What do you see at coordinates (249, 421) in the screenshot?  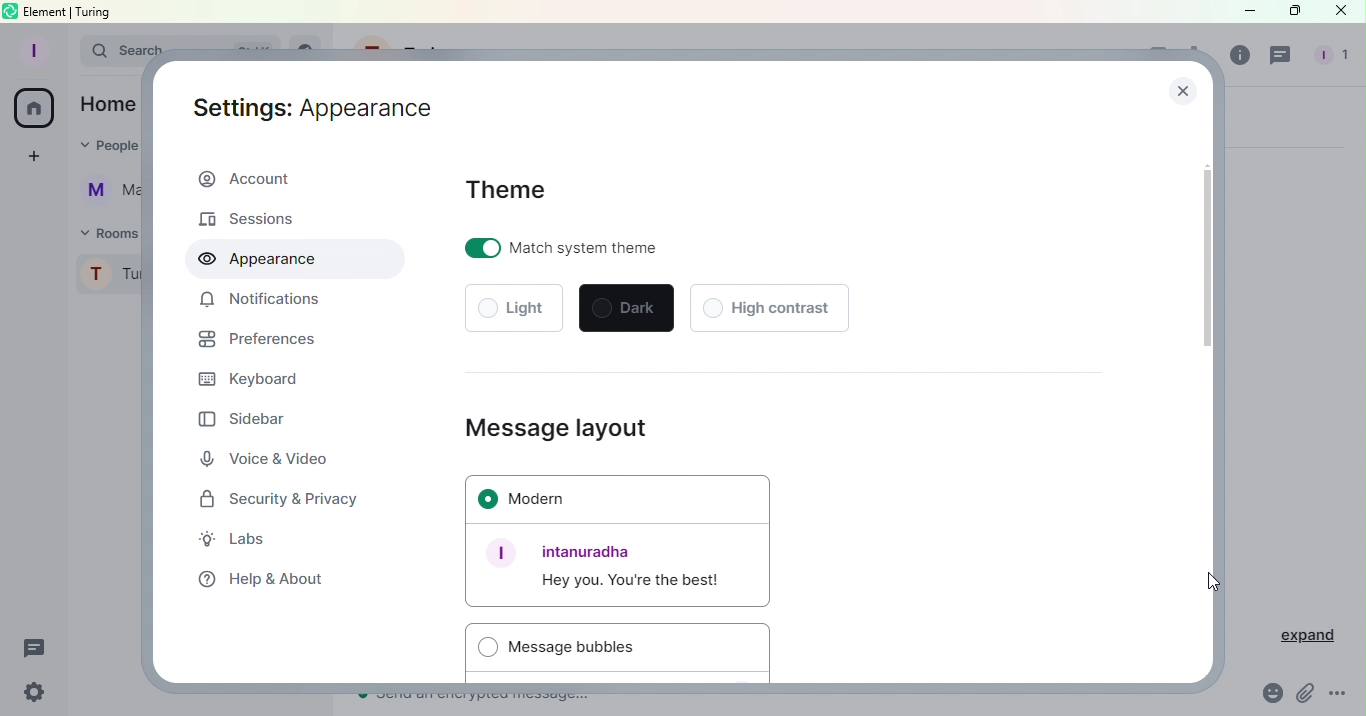 I see `Sidebar` at bounding box center [249, 421].